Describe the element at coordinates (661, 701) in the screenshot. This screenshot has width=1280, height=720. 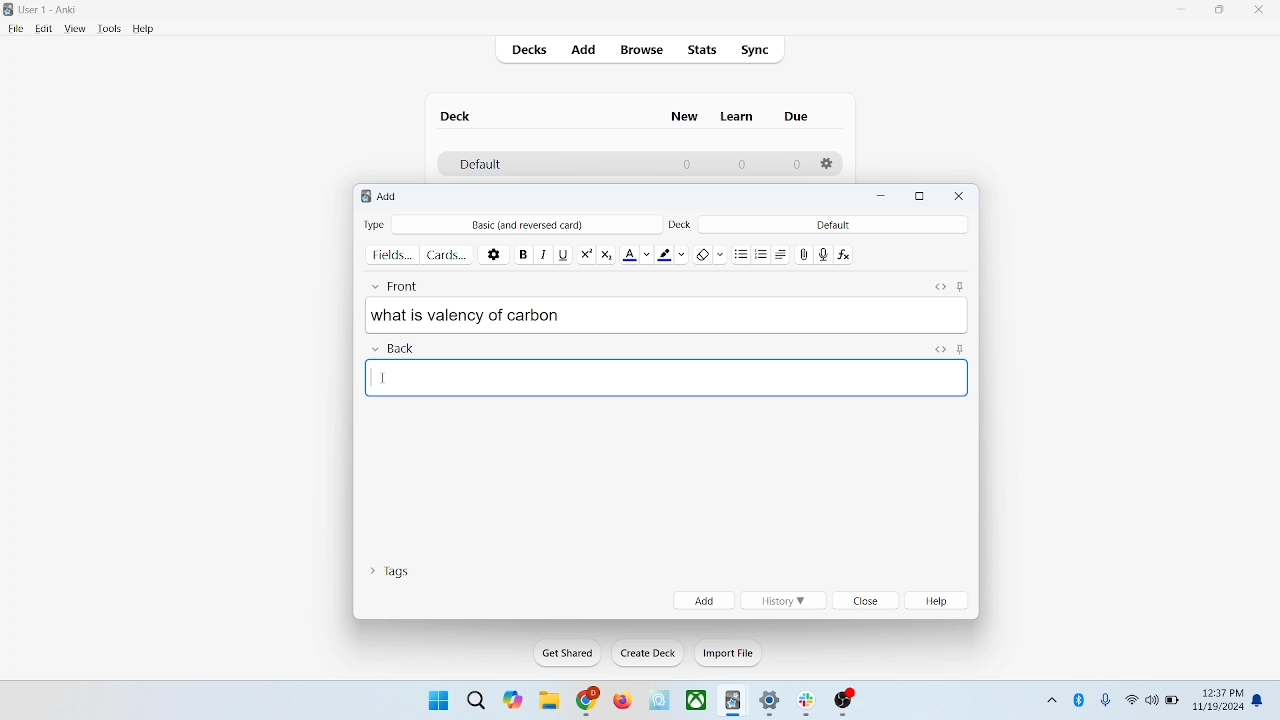
I see `icon` at that location.